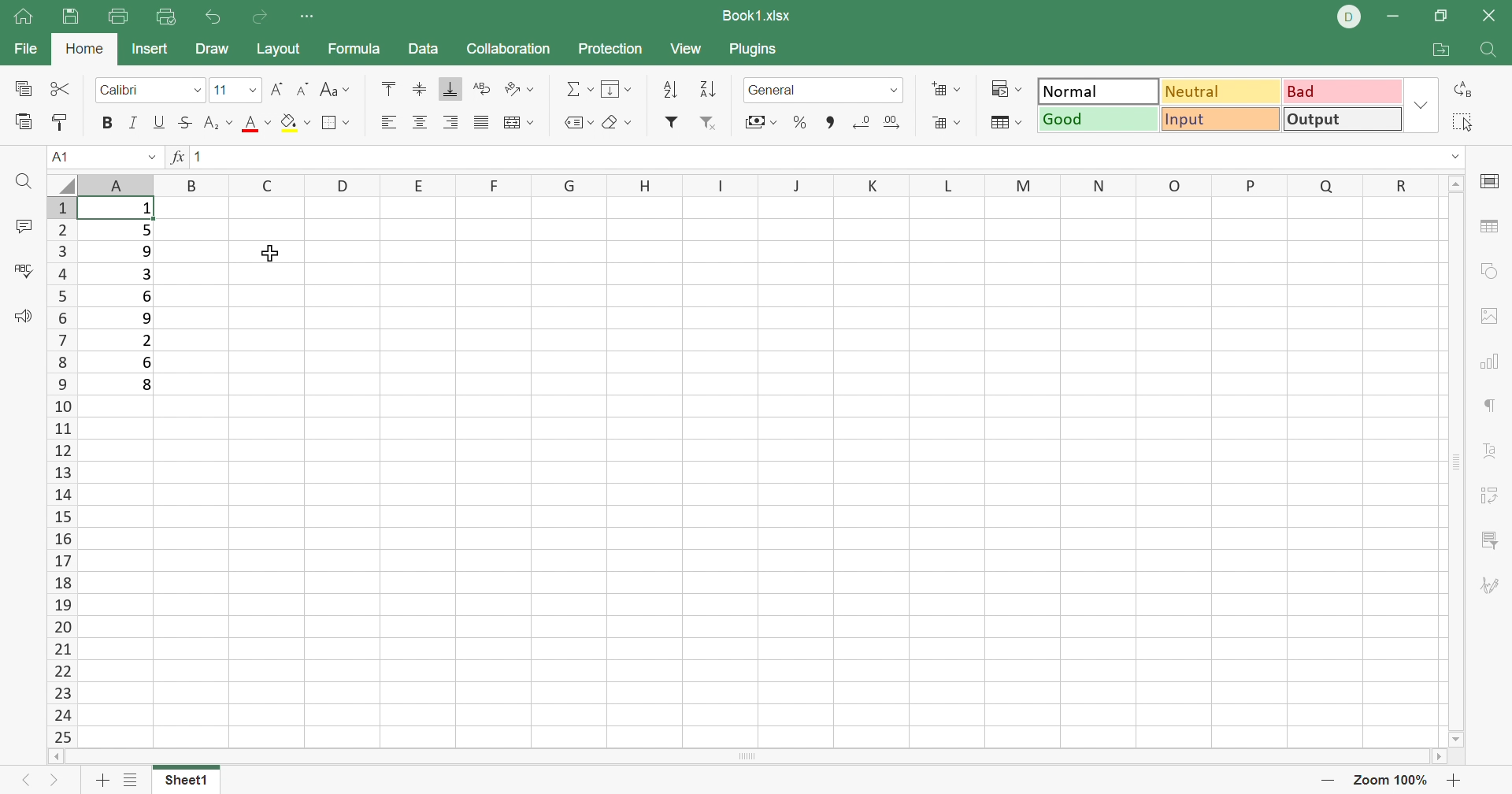  What do you see at coordinates (28, 269) in the screenshot?
I see `Spell checking` at bounding box center [28, 269].